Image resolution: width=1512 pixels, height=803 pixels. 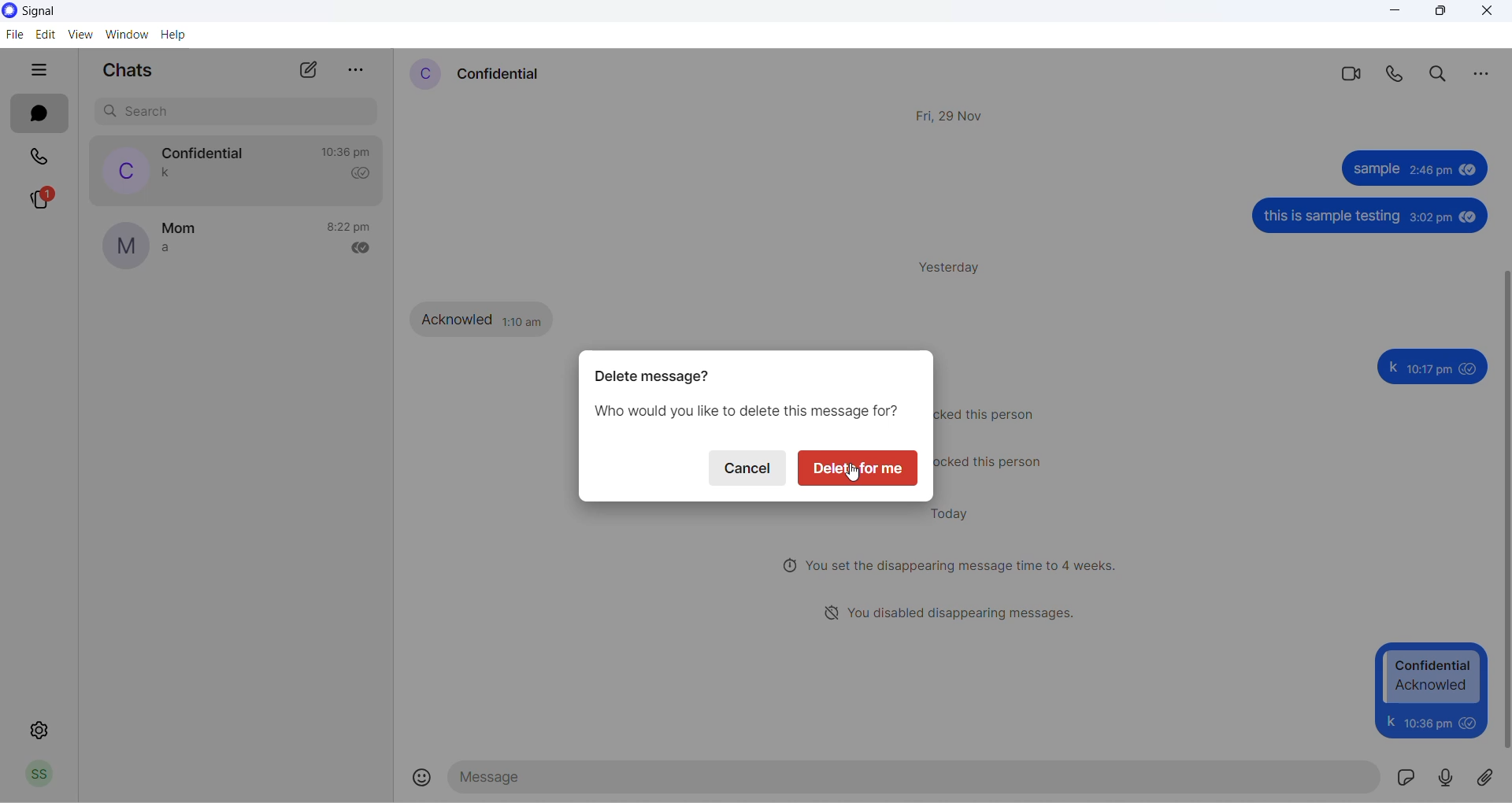 I want to click on search in chat, so click(x=1440, y=75).